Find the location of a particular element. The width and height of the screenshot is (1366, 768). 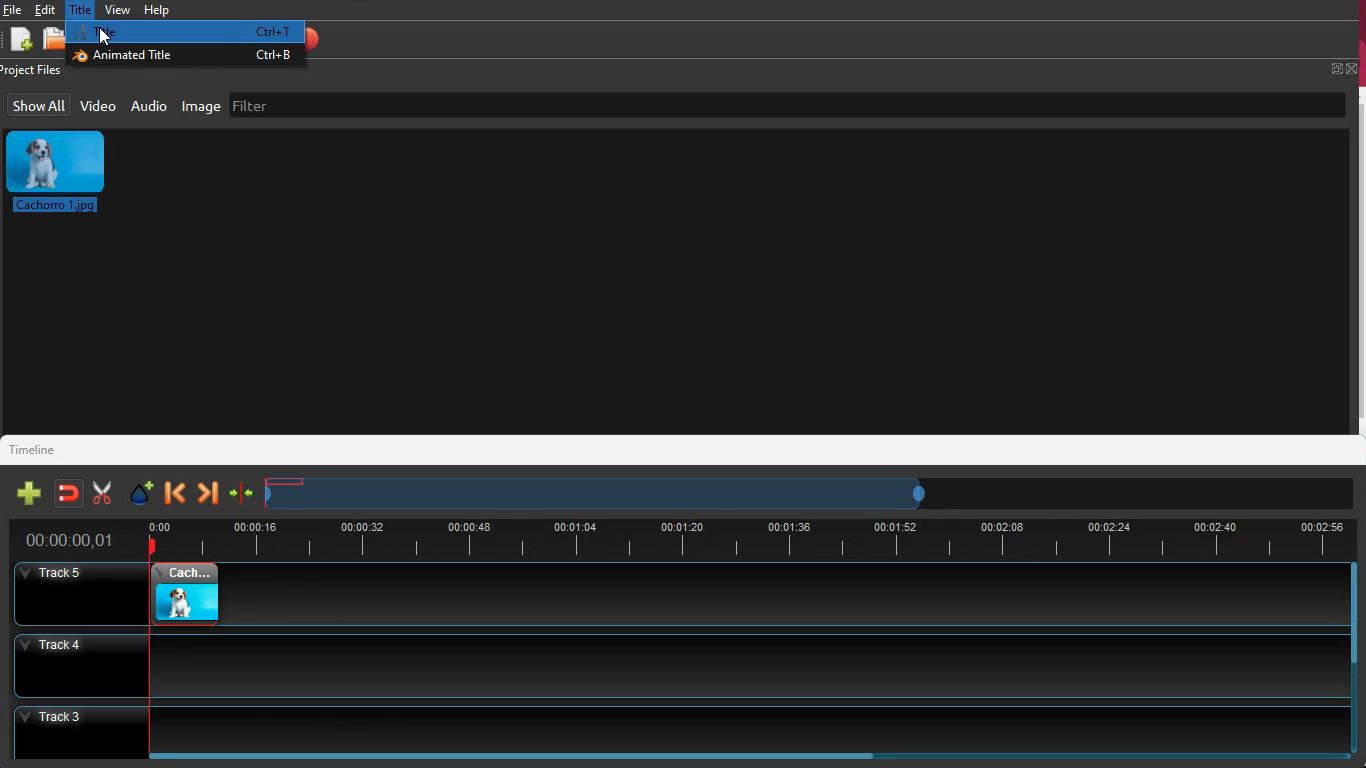

project files is located at coordinates (36, 71).